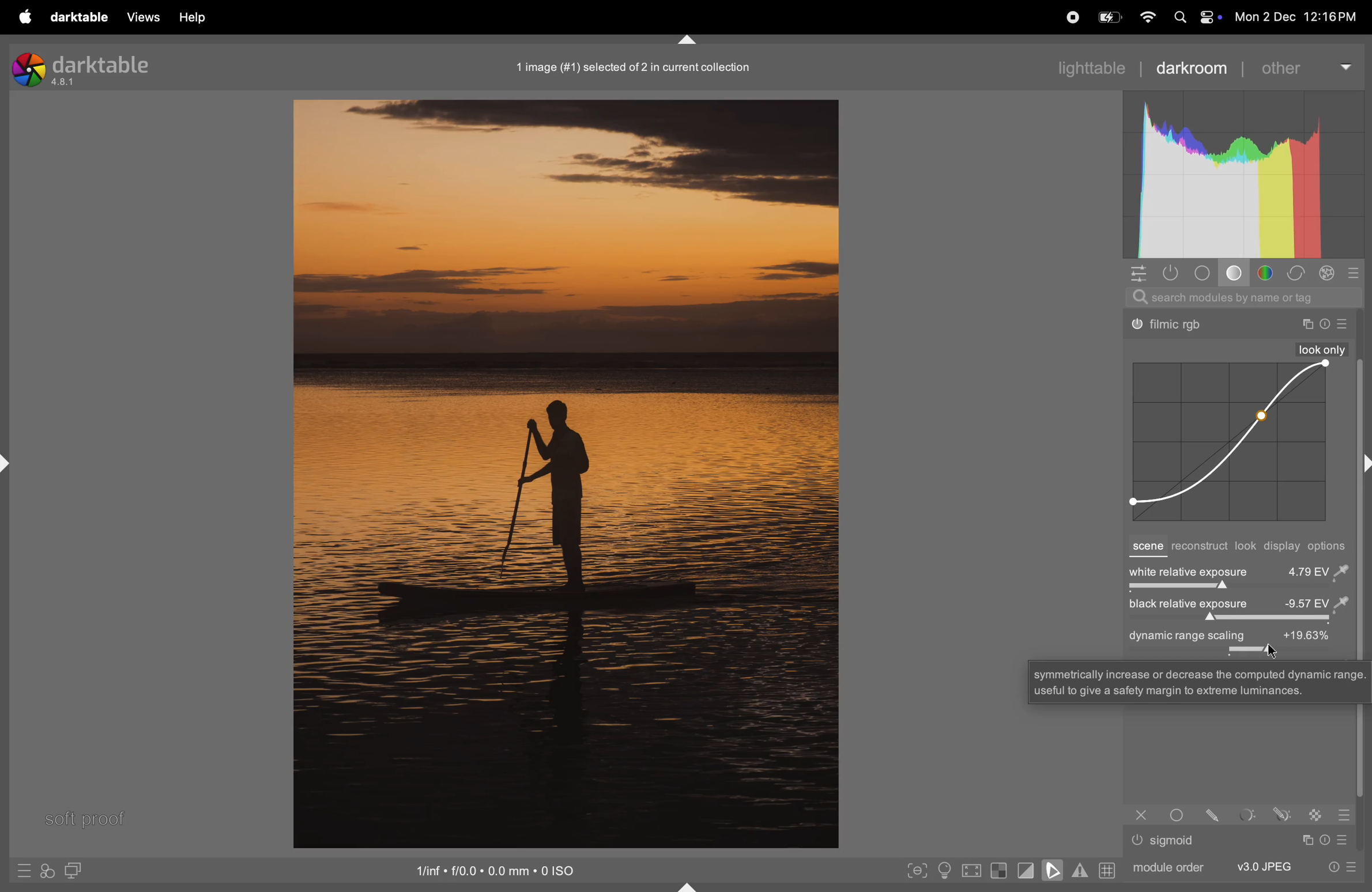 The image size is (1372, 892). Describe the element at coordinates (1175, 841) in the screenshot. I see `` at that location.